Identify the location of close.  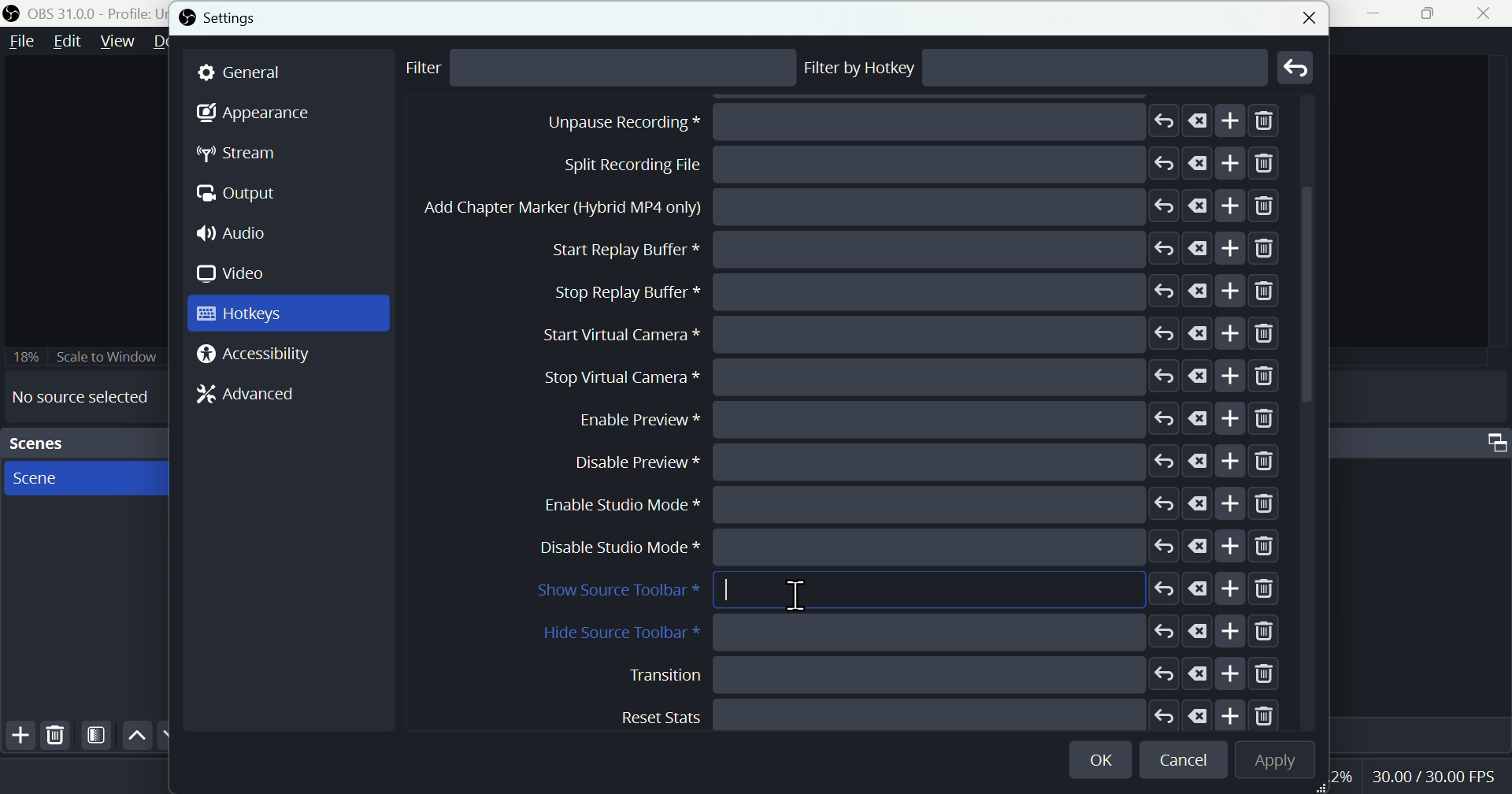
(1488, 13).